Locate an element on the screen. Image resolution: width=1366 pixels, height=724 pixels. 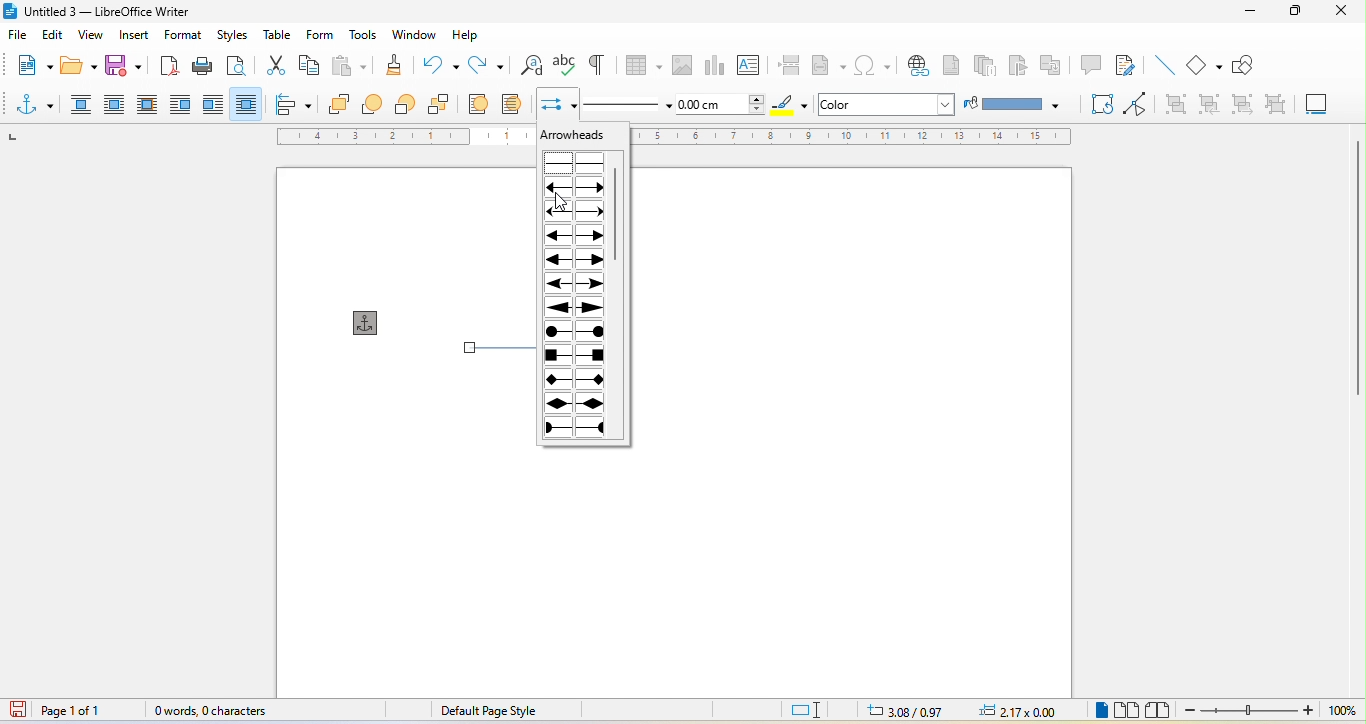
bring to font is located at coordinates (342, 104).